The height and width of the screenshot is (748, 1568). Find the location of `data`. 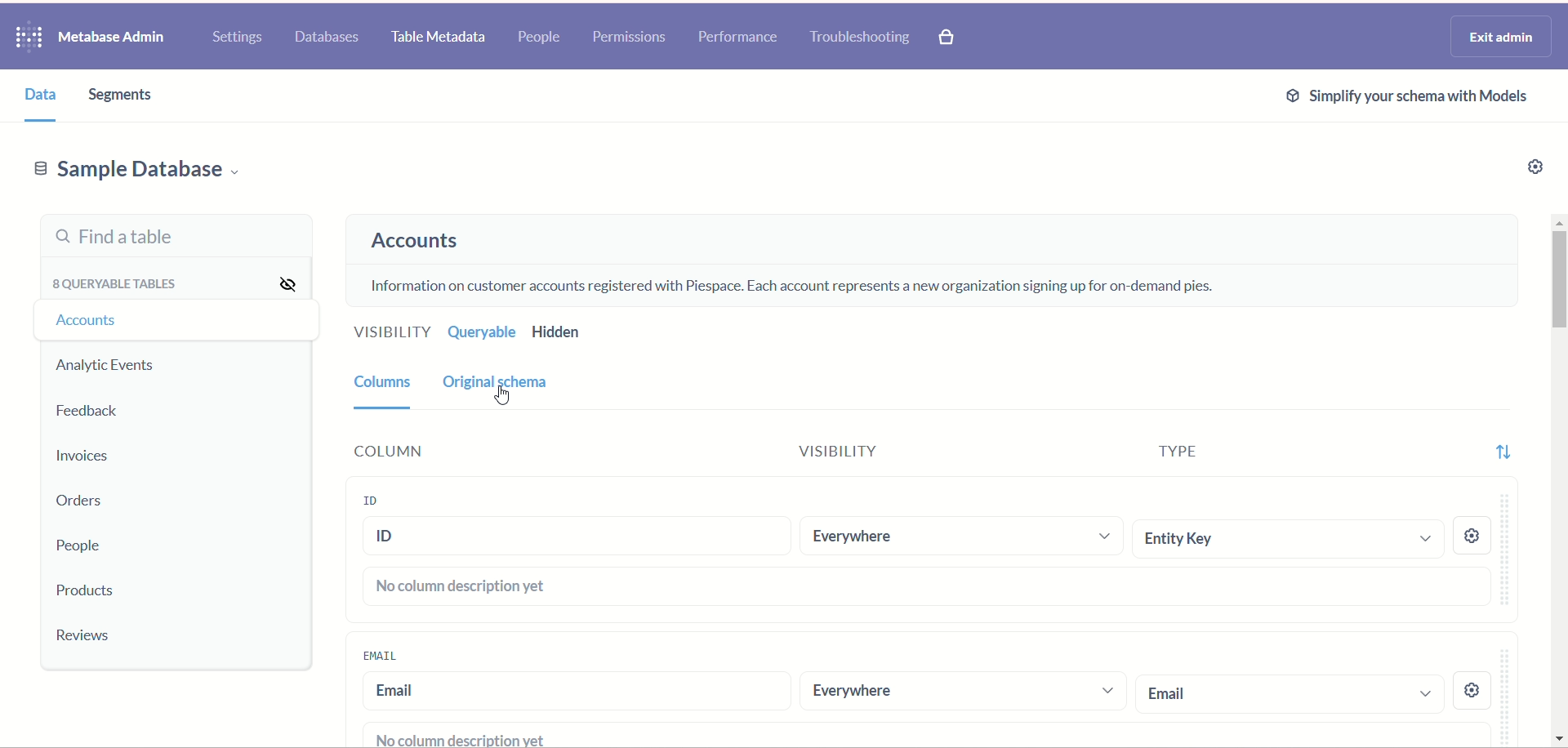

data is located at coordinates (46, 97).